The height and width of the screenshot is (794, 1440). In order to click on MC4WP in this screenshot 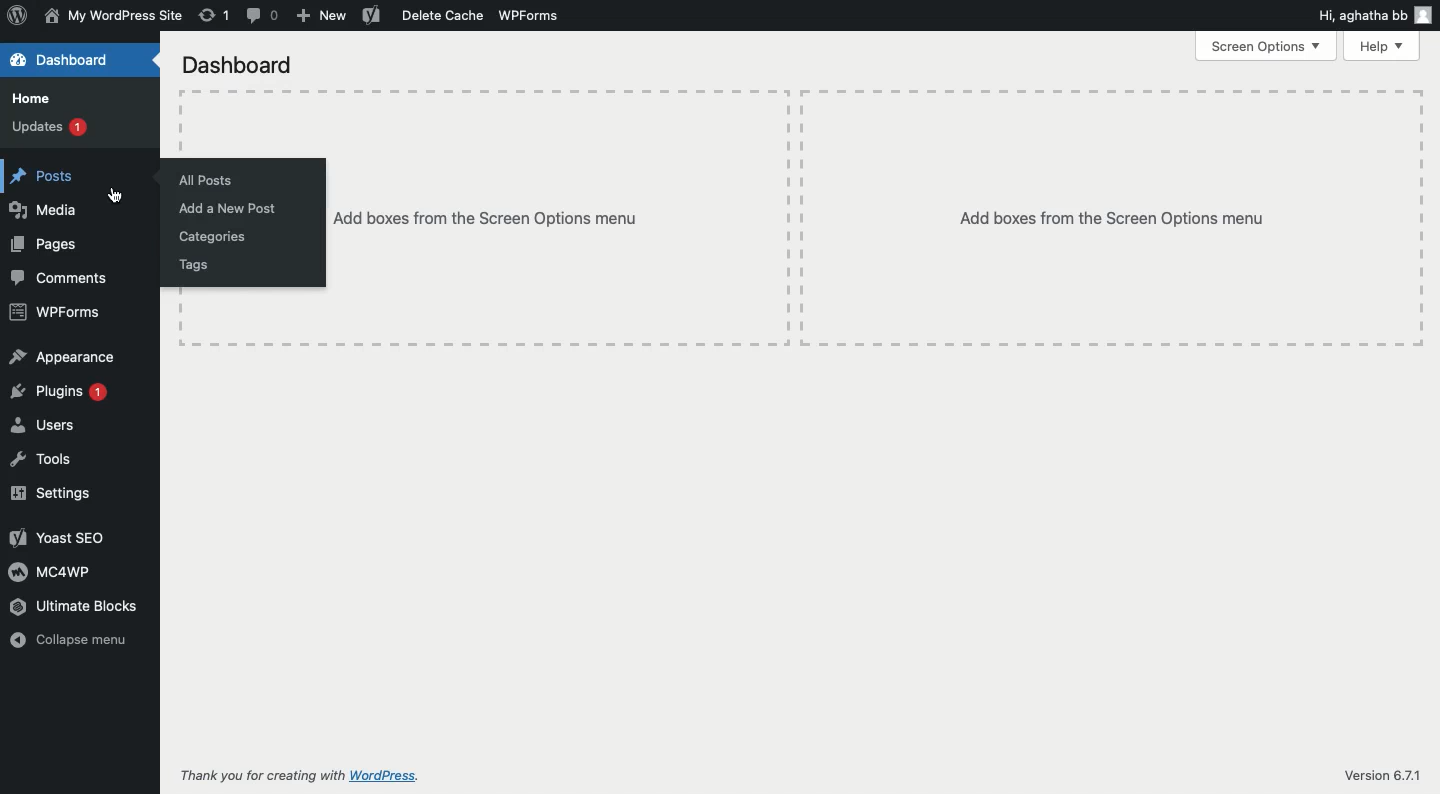, I will do `click(51, 572)`.